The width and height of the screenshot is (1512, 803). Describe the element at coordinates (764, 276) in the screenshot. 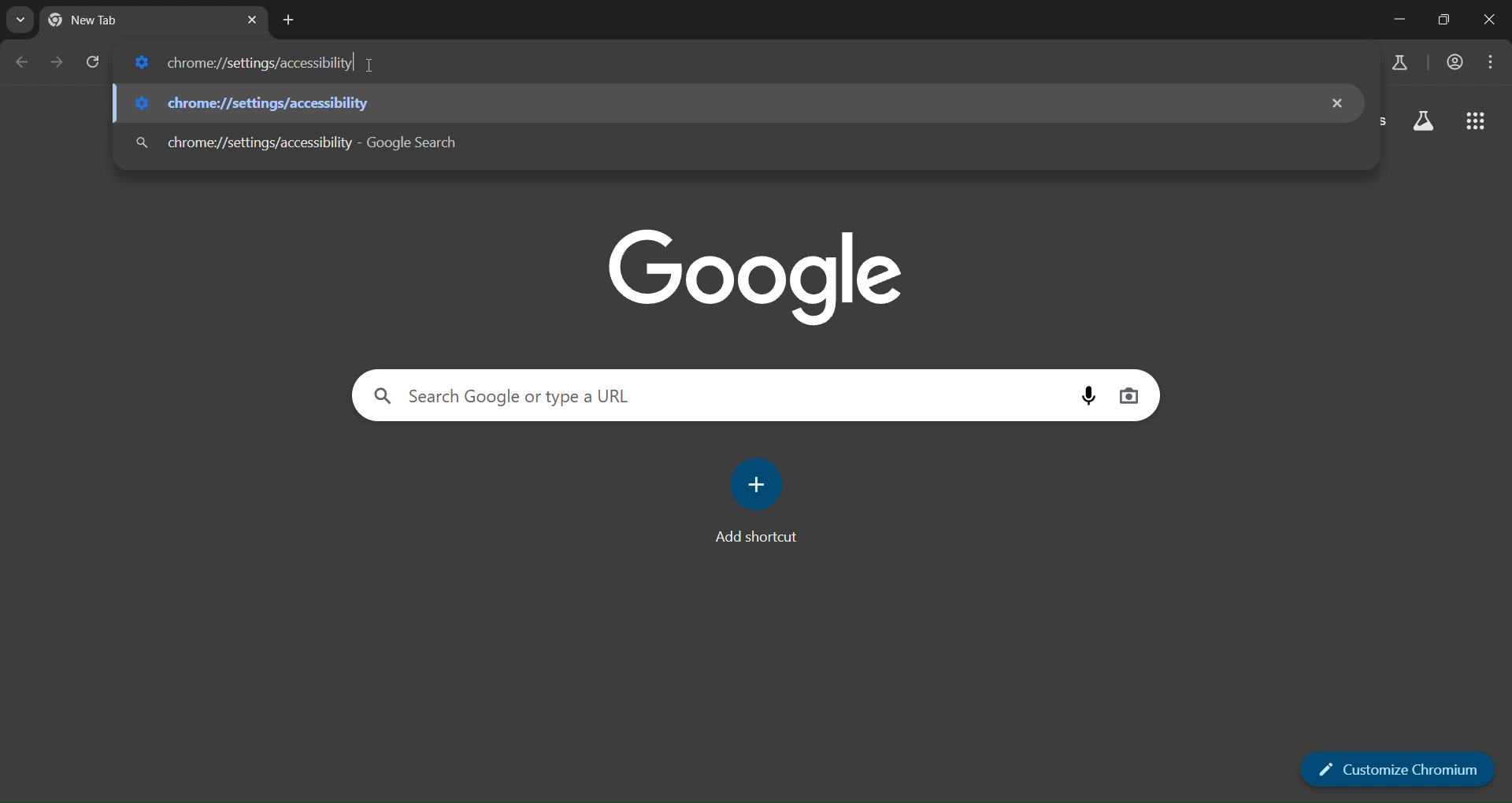

I see `google` at that location.